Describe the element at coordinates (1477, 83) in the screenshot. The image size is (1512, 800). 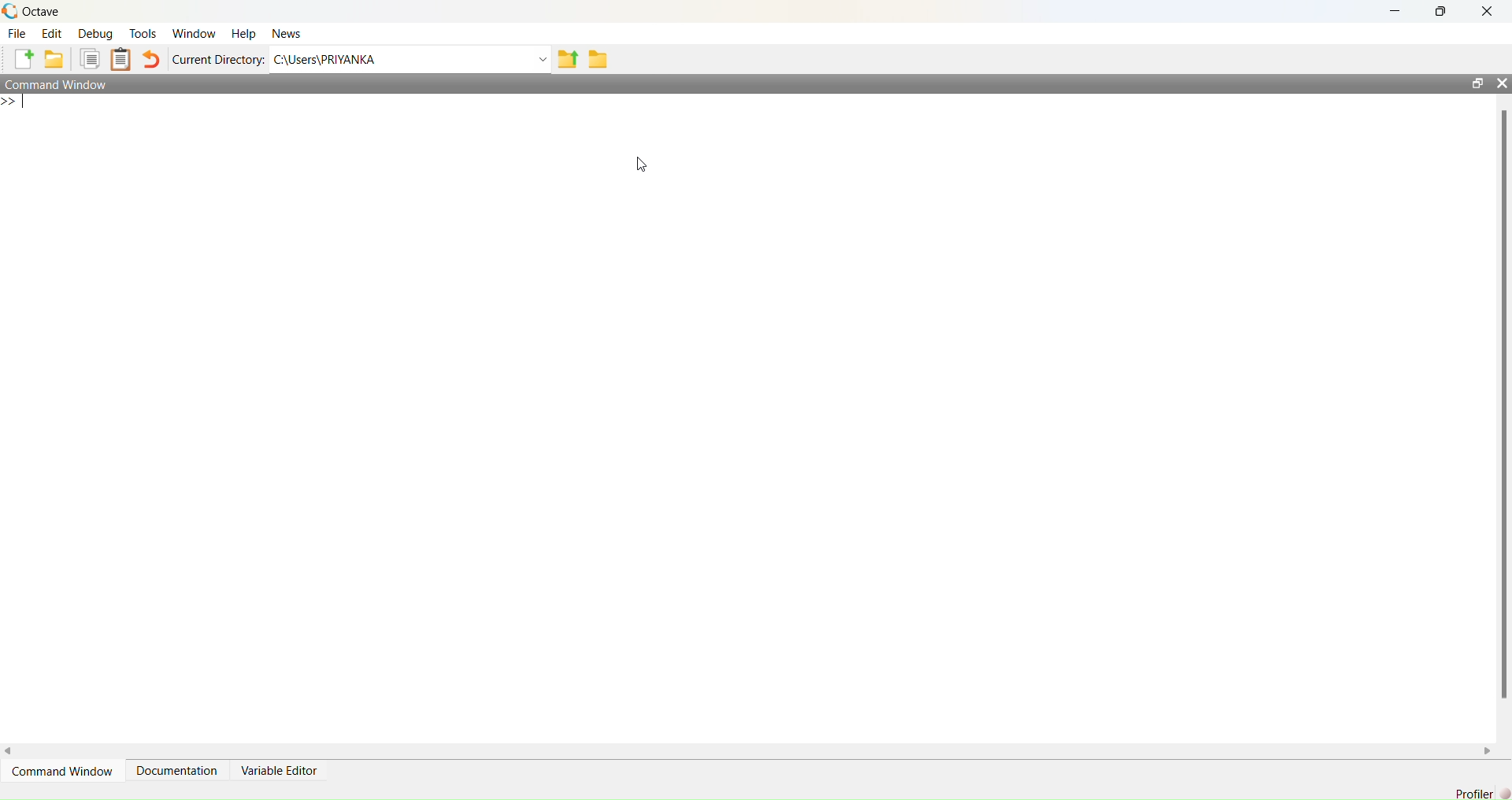
I see `open in separate window` at that location.